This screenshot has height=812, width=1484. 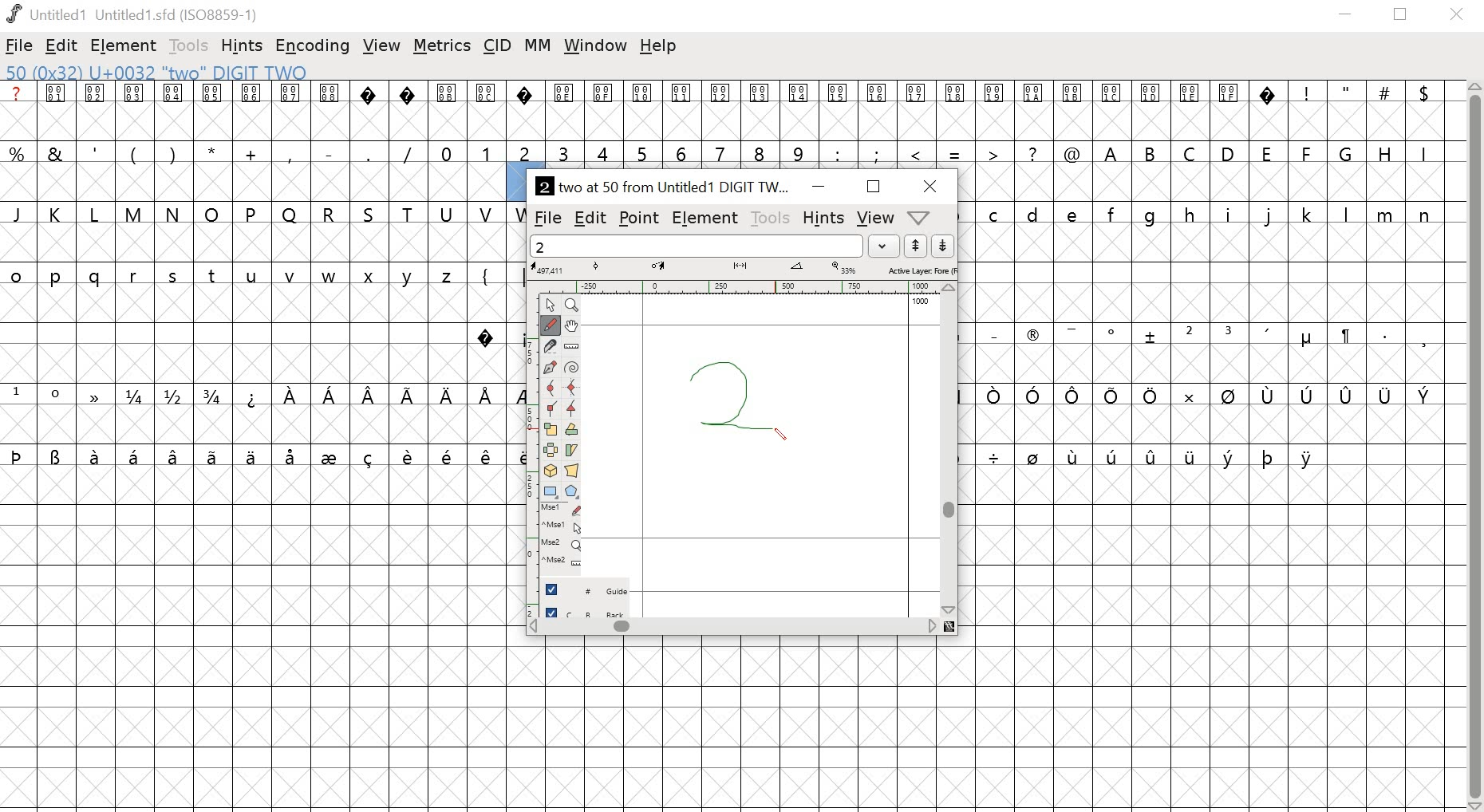 What do you see at coordinates (572, 472) in the screenshot?
I see `perspective` at bounding box center [572, 472].